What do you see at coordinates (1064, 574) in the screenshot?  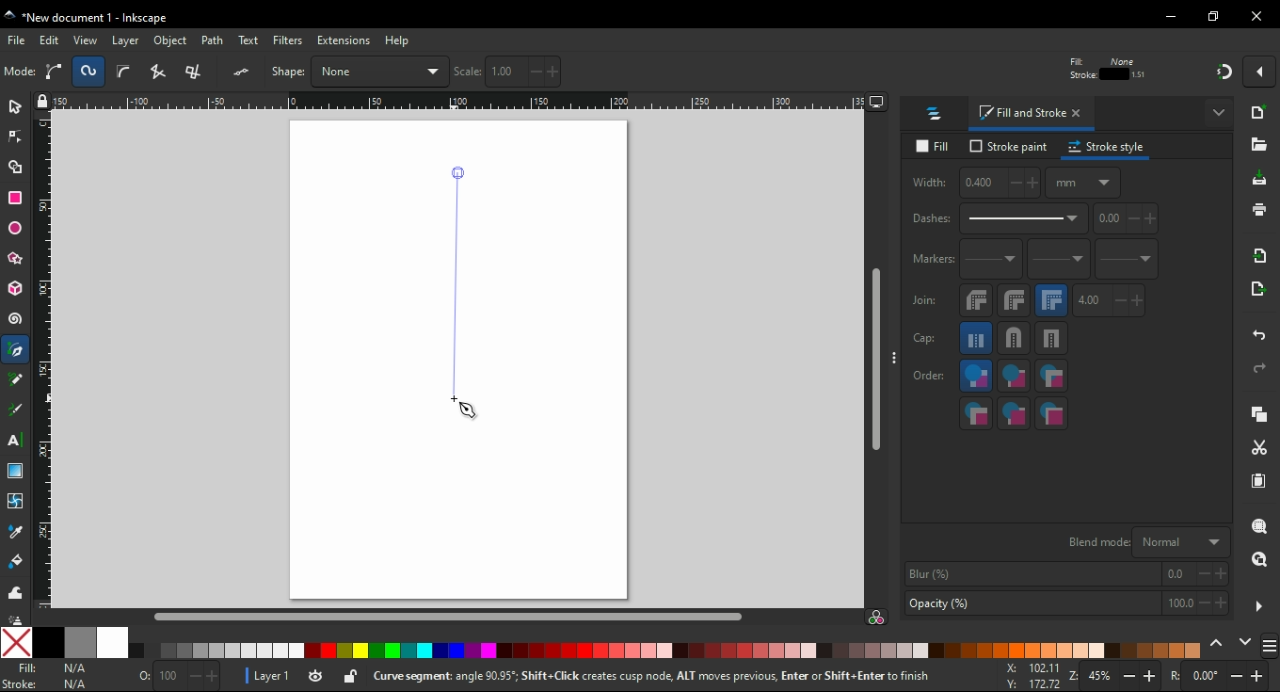 I see `blur` at bounding box center [1064, 574].